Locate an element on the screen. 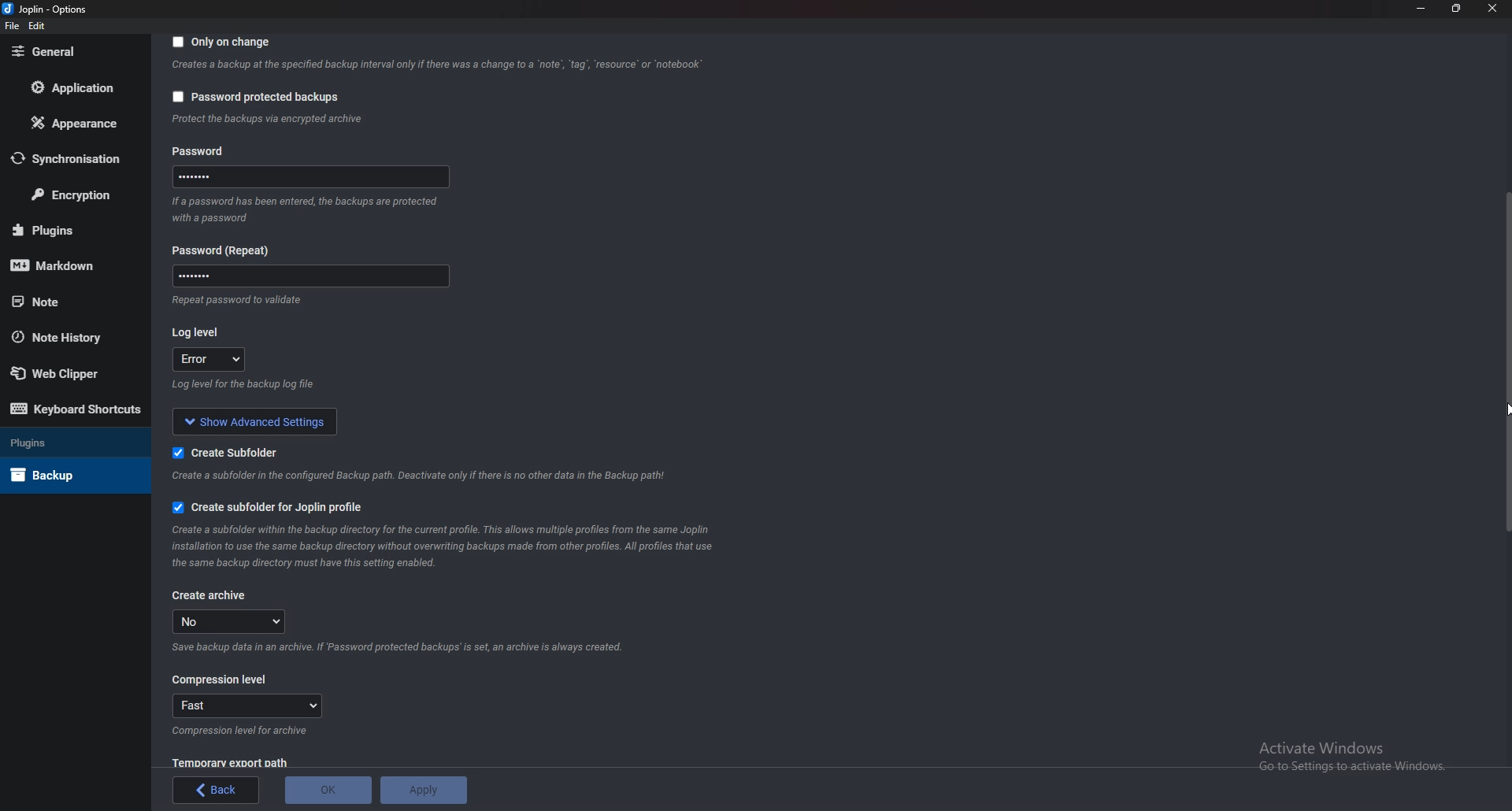 The height and width of the screenshot is (811, 1512). Keyboard shortcuts is located at coordinates (76, 408).